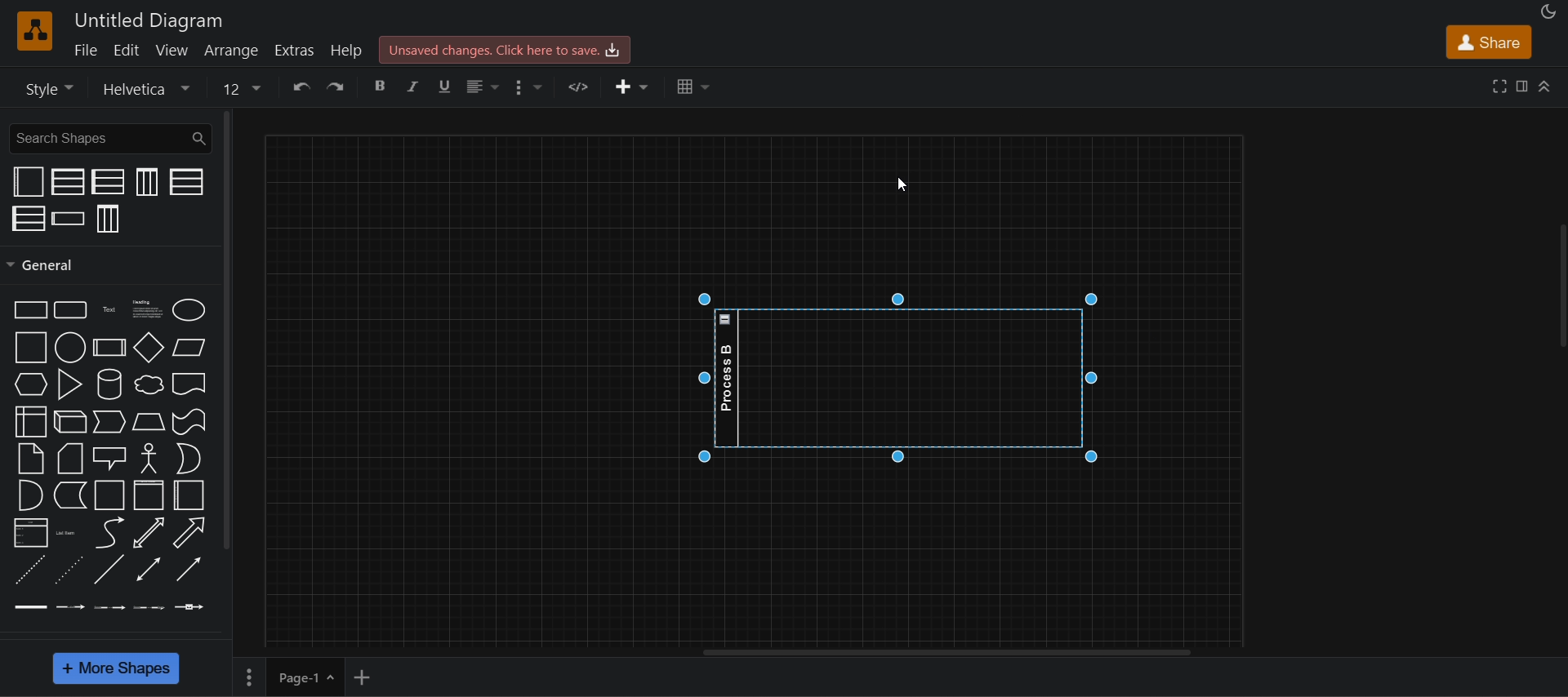 The height and width of the screenshot is (697, 1568). I want to click on style, so click(42, 87).